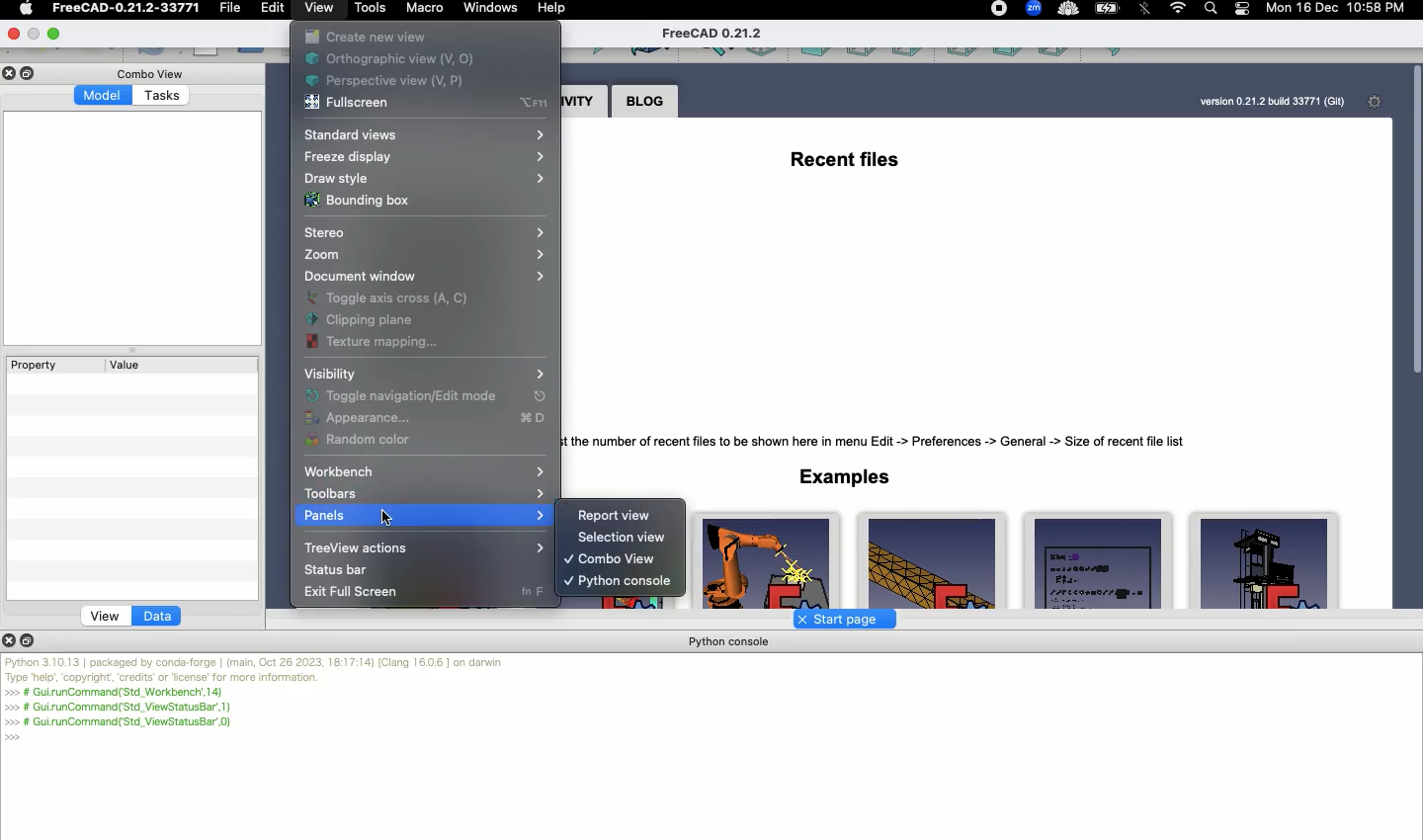 Image resolution: width=1423 pixels, height=840 pixels. What do you see at coordinates (104, 95) in the screenshot?
I see `Model` at bounding box center [104, 95].